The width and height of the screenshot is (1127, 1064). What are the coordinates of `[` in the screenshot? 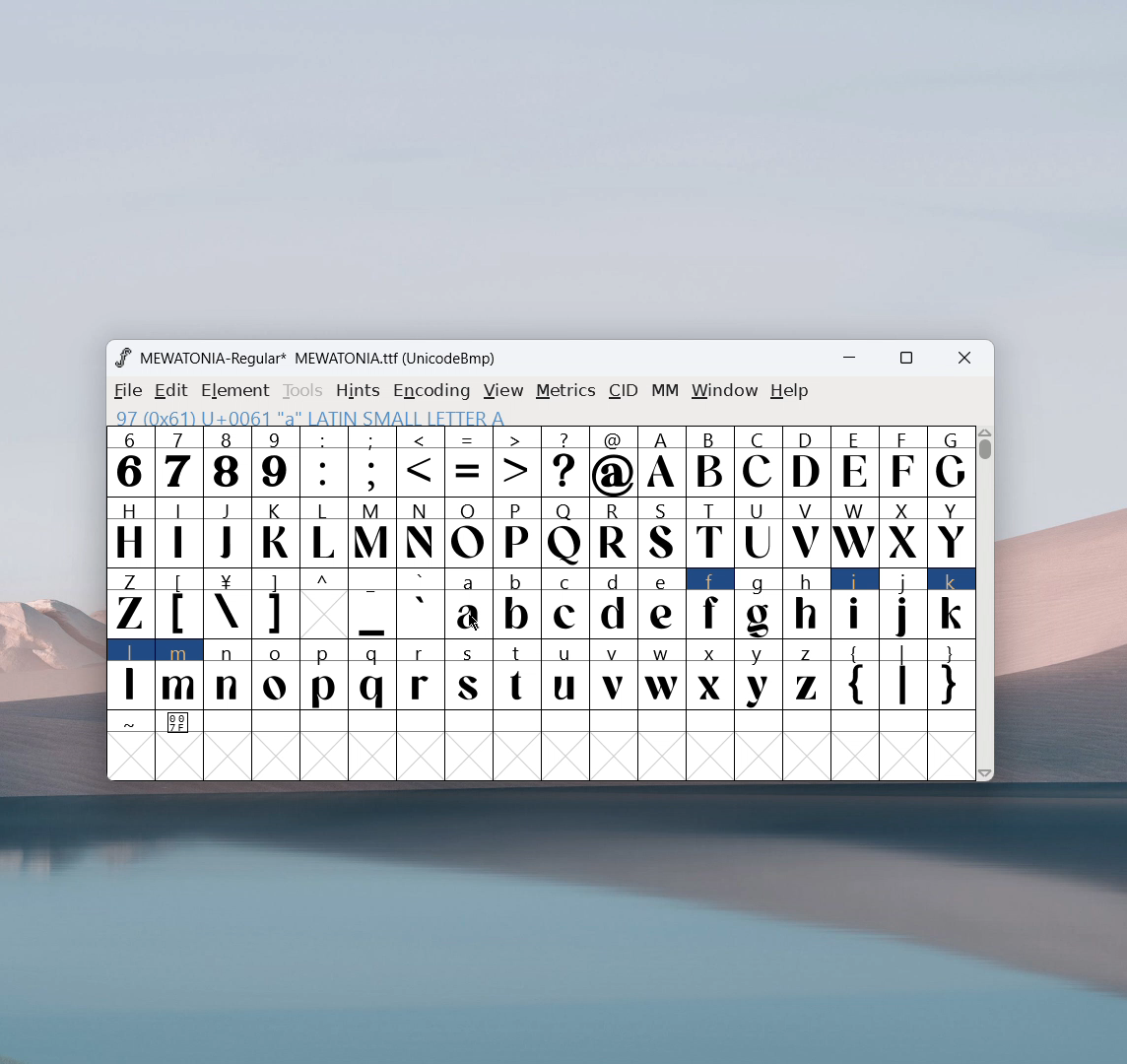 It's located at (179, 604).